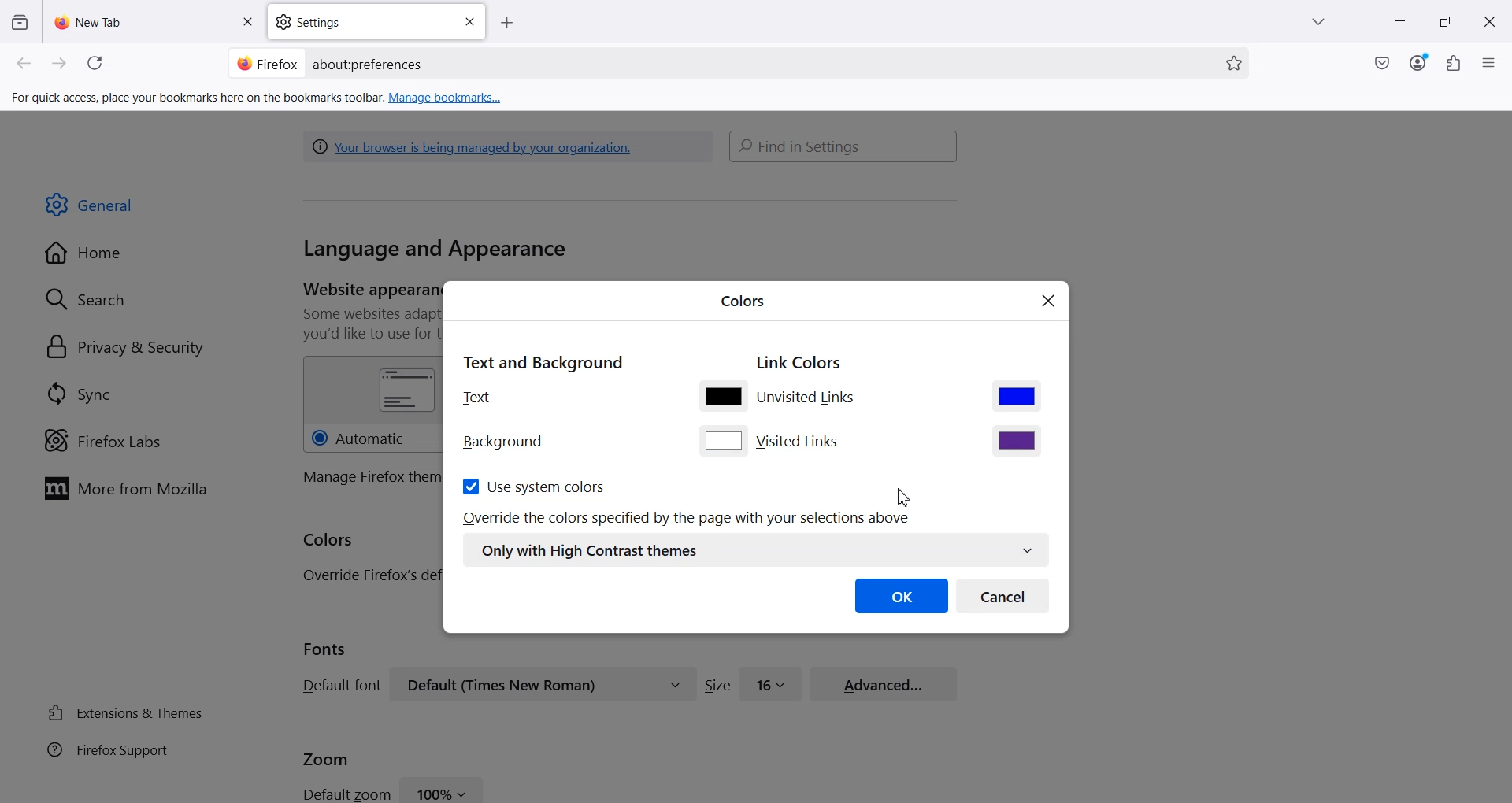 Image resolution: width=1512 pixels, height=803 pixels. I want to click on Colors, so click(329, 541).